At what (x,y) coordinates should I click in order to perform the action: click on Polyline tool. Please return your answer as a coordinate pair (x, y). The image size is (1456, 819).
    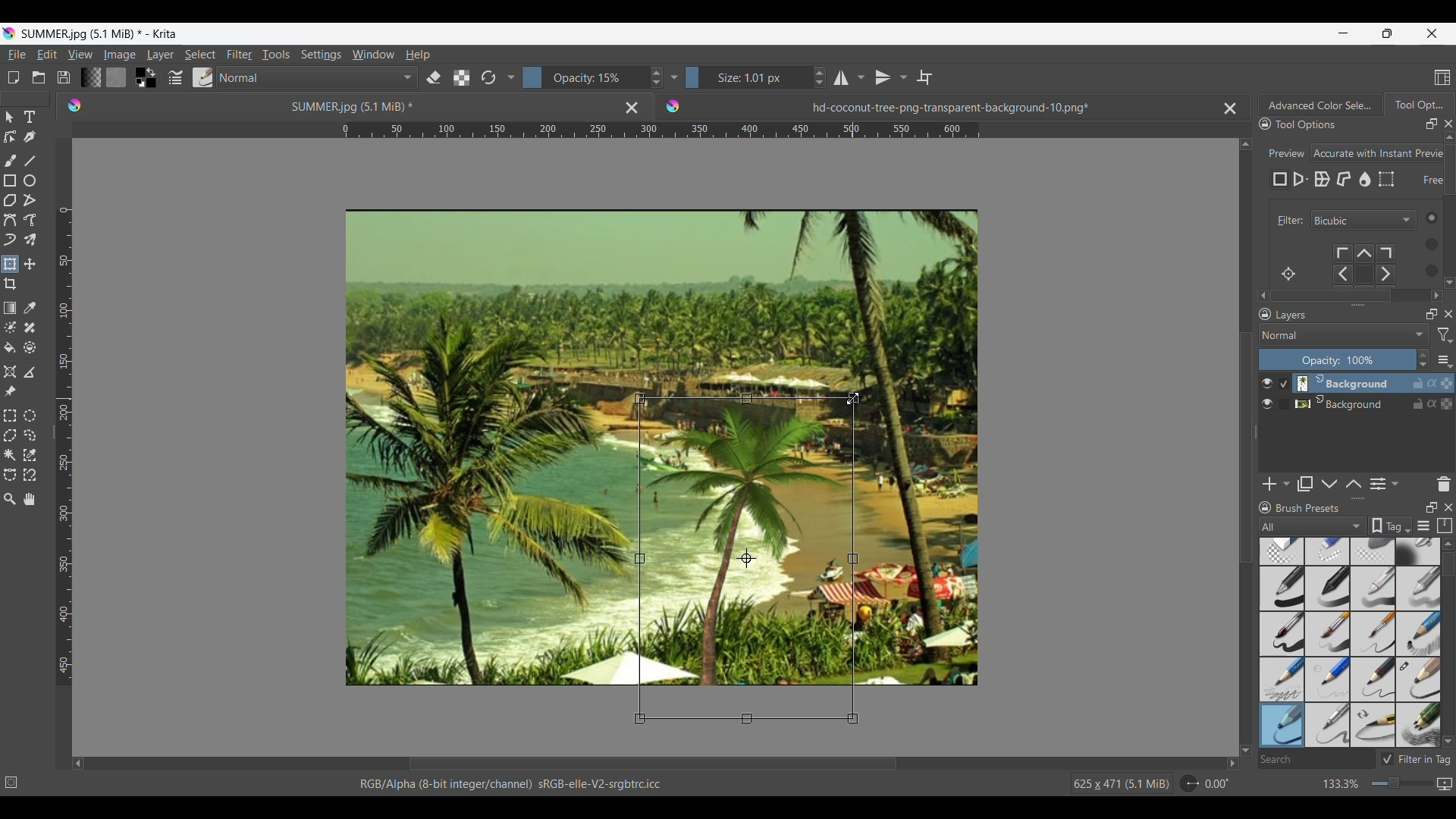
    Looking at the image, I should click on (30, 199).